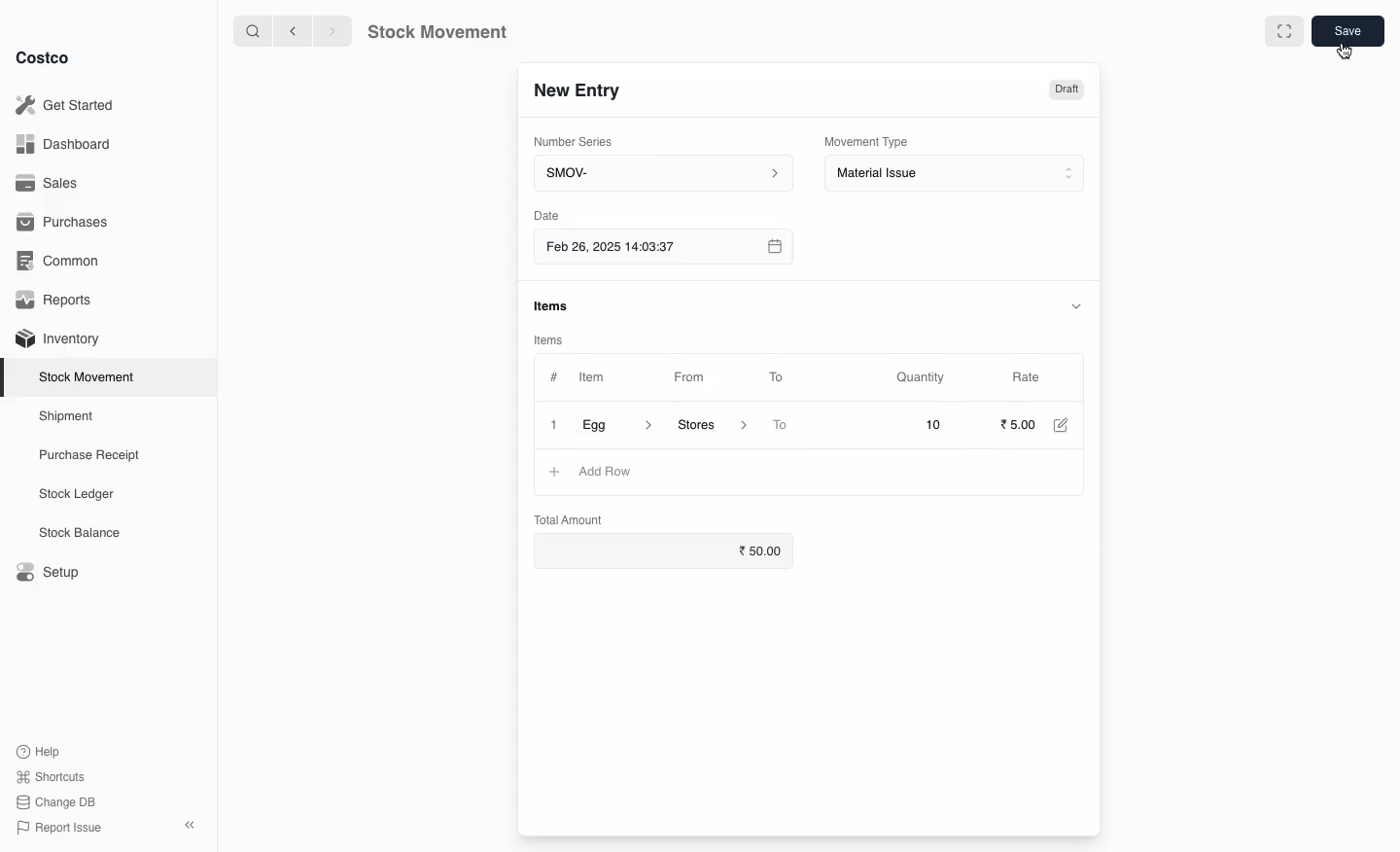 This screenshot has height=852, width=1400. What do you see at coordinates (957, 174) in the screenshot?
I see `Material Issue` at bounding box center [957, 174].